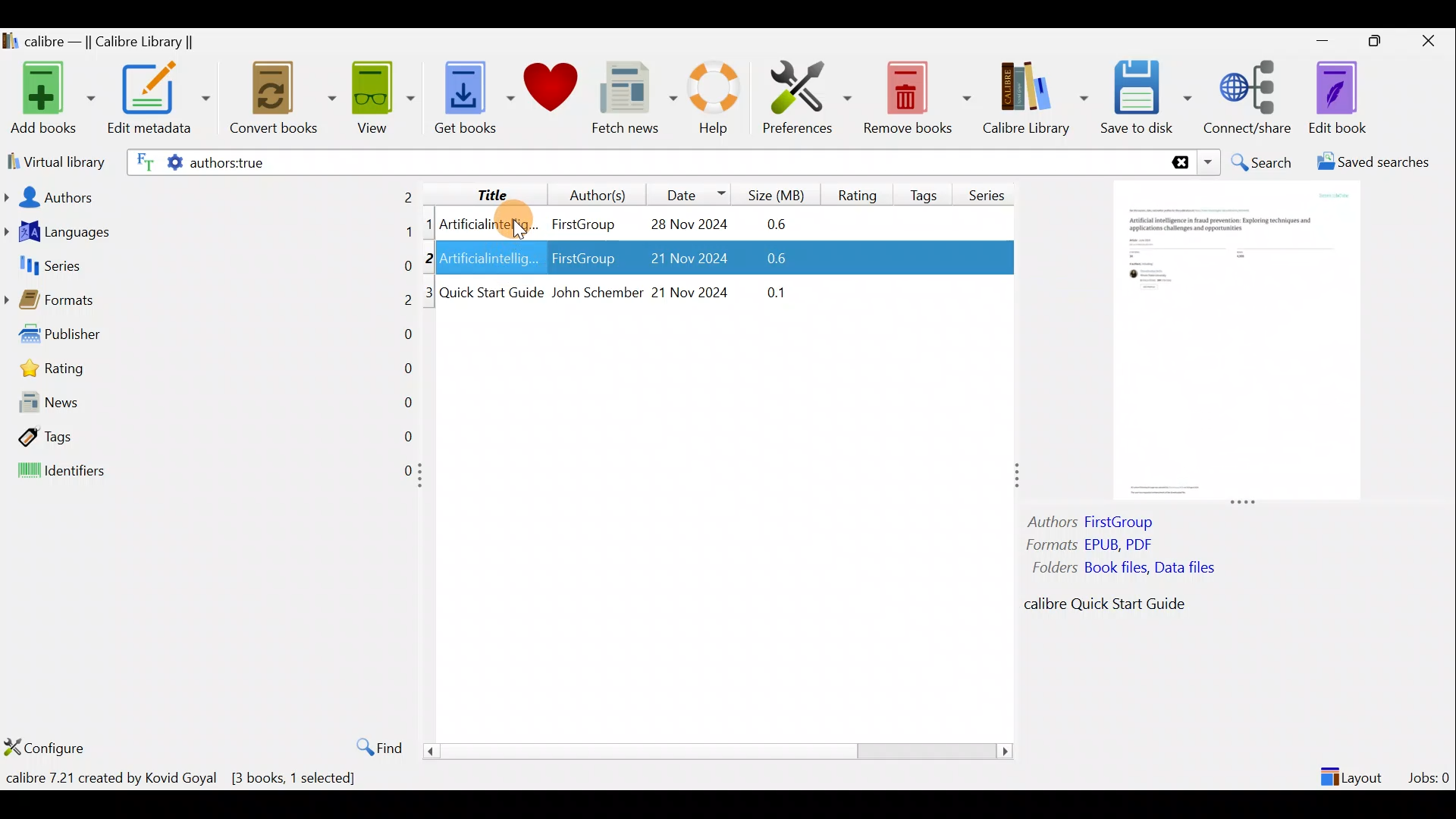 This screenshot has width=1456, height=819. I want to click on Help, so click(711, 100).